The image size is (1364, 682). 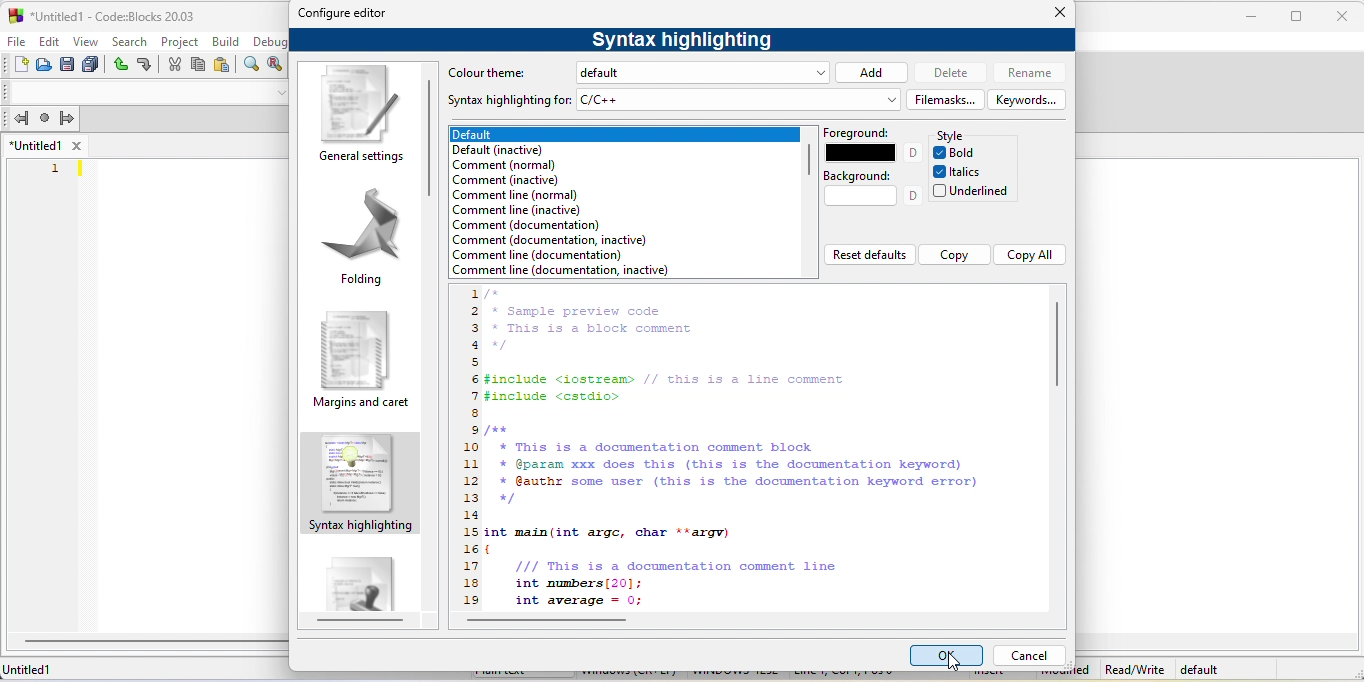 I want to click on style, so click(x=954, y=136).